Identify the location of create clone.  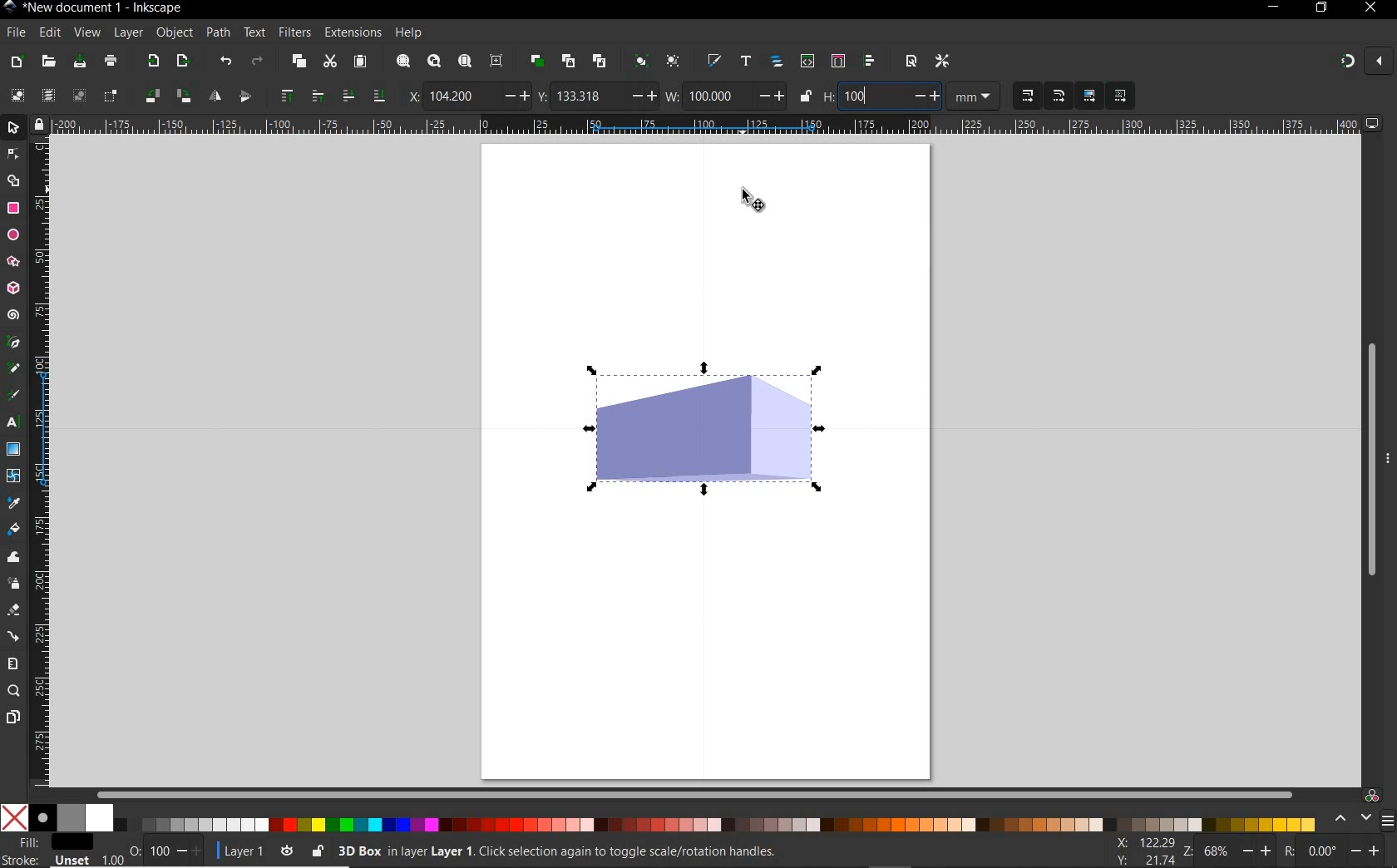
(567, 61).